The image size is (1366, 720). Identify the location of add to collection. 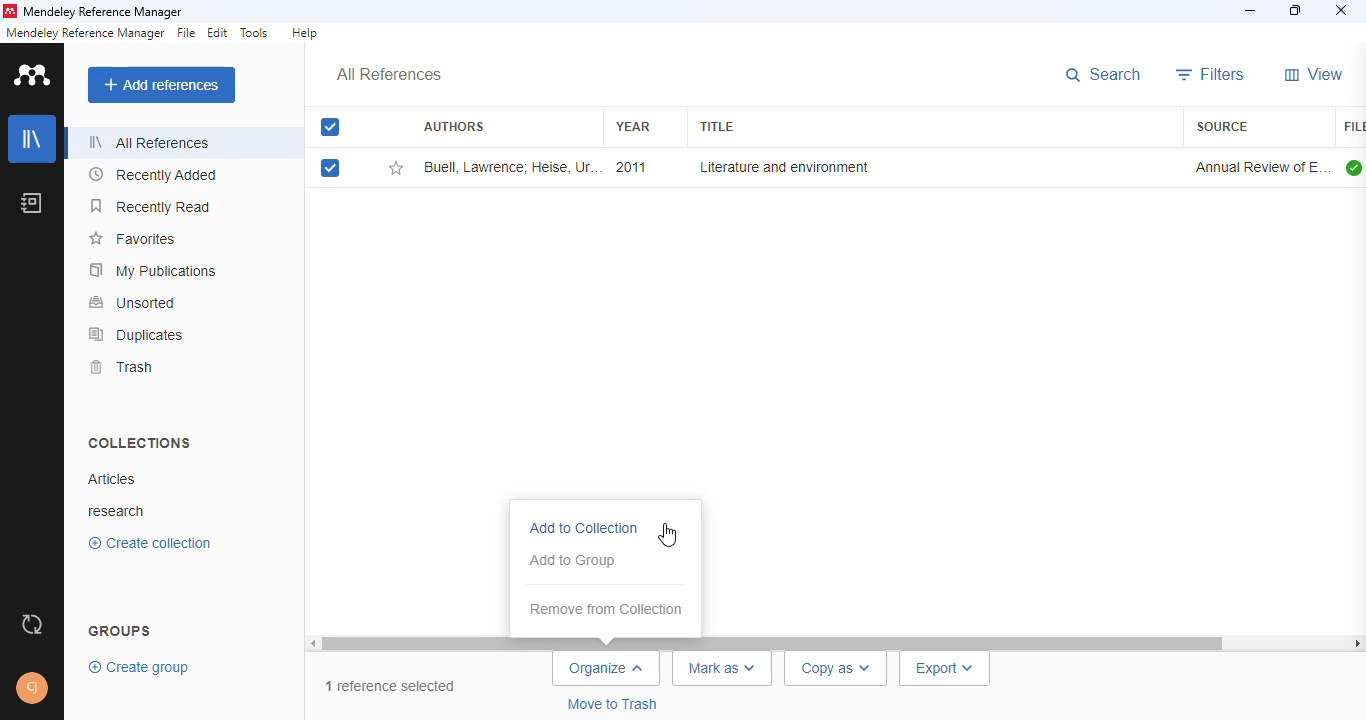
(585, 529).